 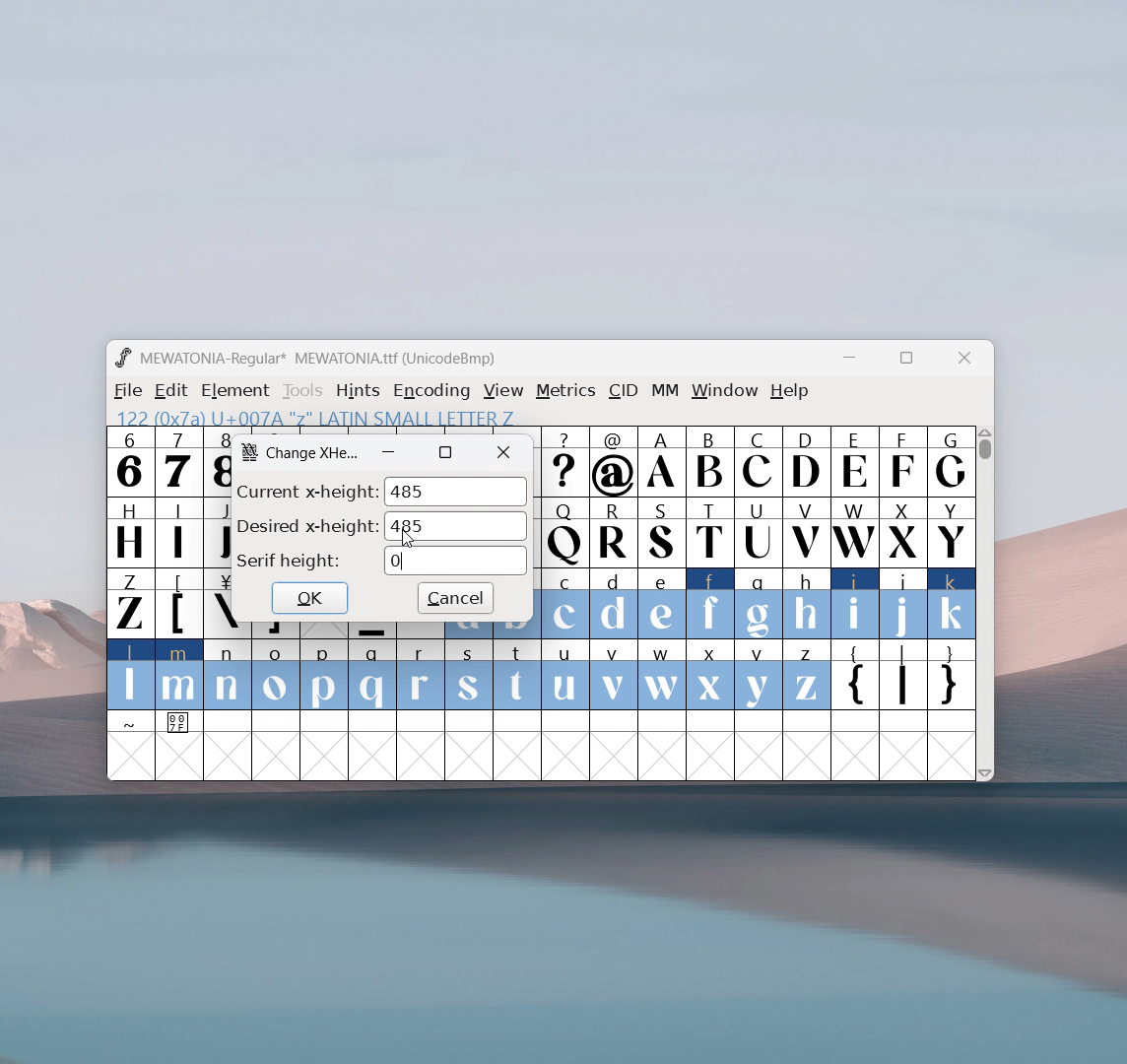 What do you see at coordinates (469, 676) in the screenshot?
I see `s` at bounding box center [469, 676].